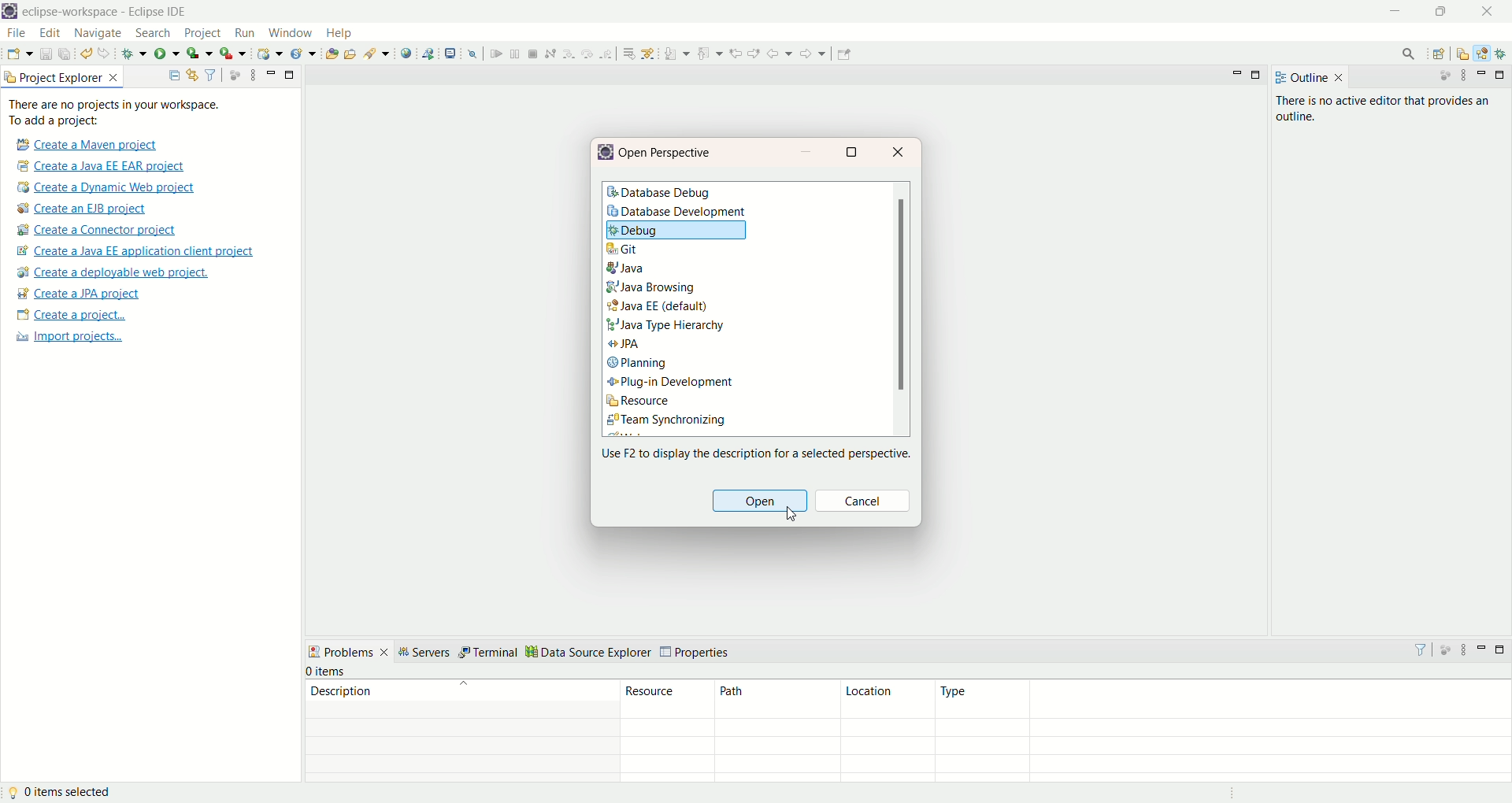 The height and width of the screenshot is (803, 1512). I want to click on database debug, so click(661, 194).